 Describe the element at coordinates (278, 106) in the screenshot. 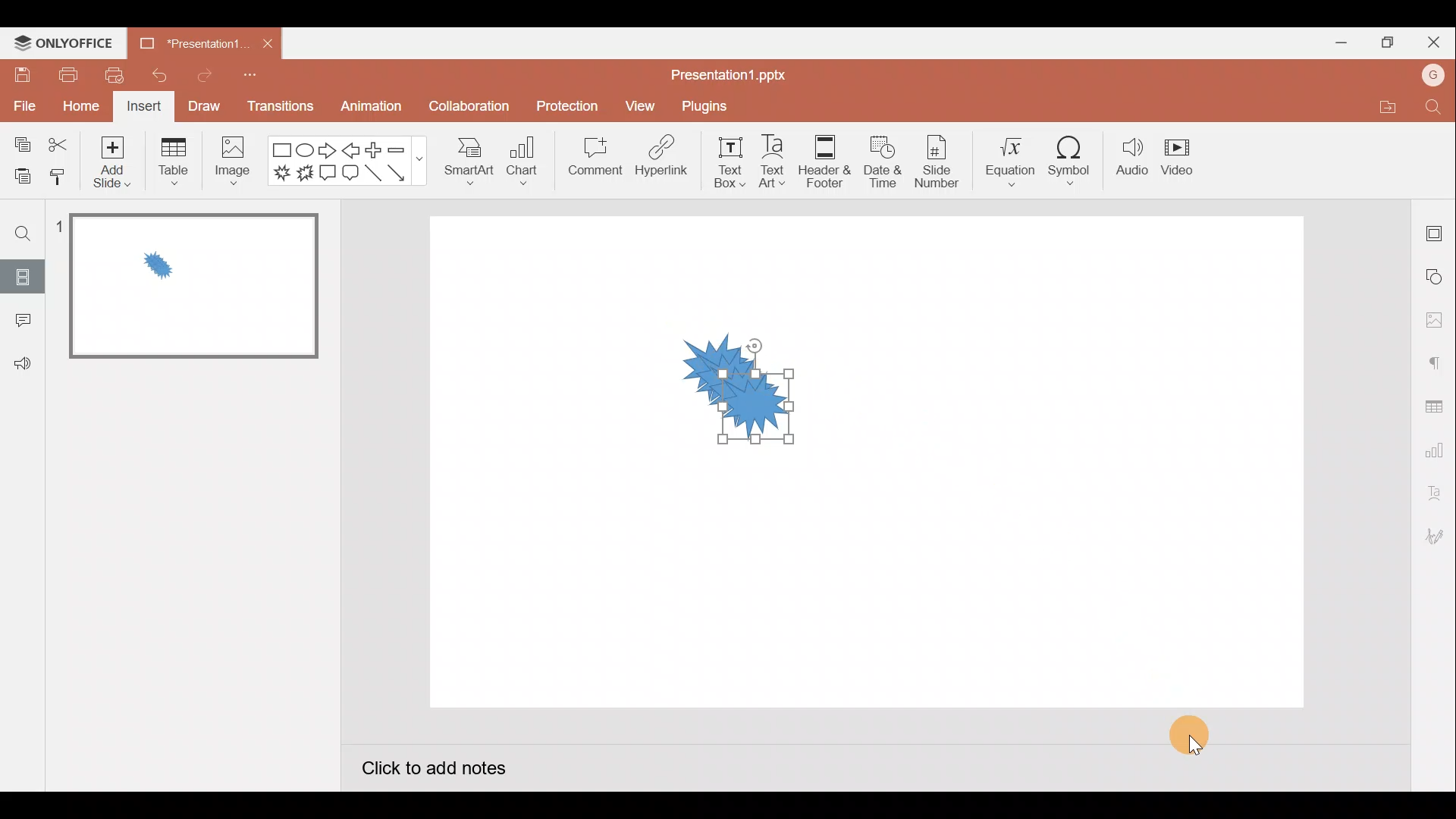

I see `Transitions` at that location.